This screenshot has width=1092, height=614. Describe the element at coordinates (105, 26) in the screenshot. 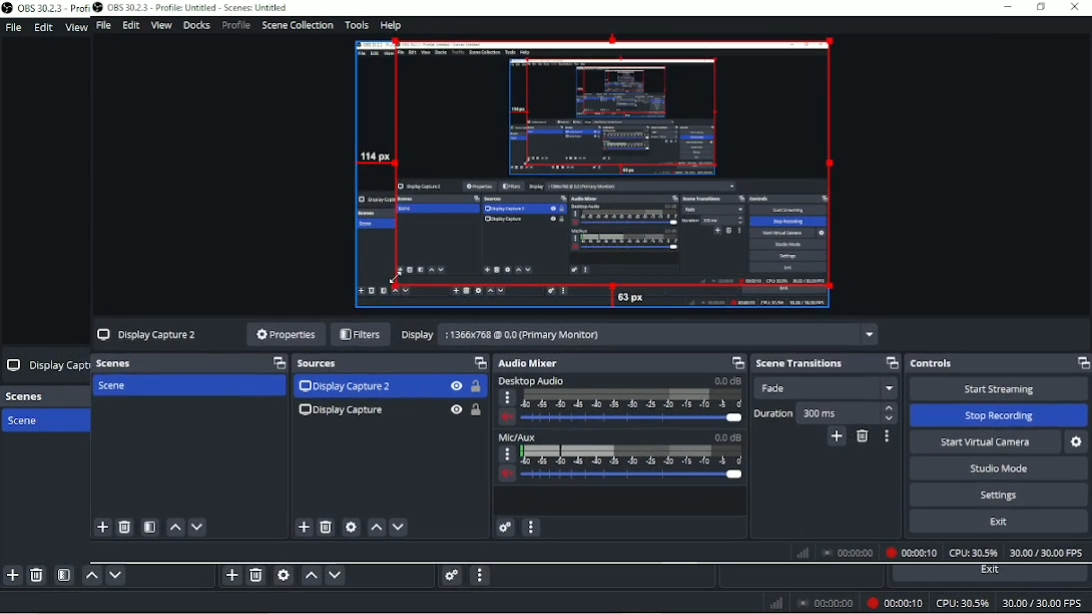

I see `File` at that location.